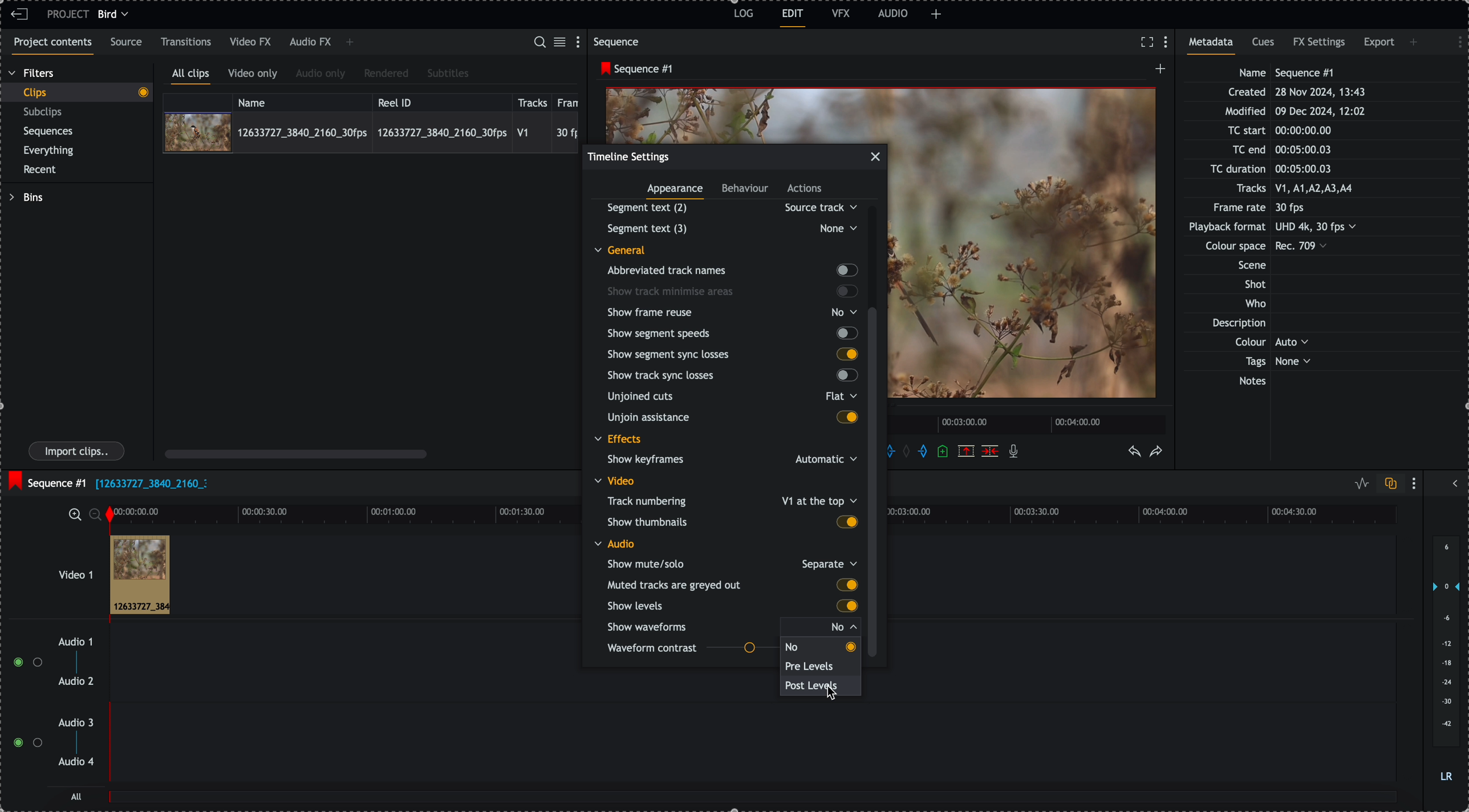  I want to click on rendered, so click(386, 74).